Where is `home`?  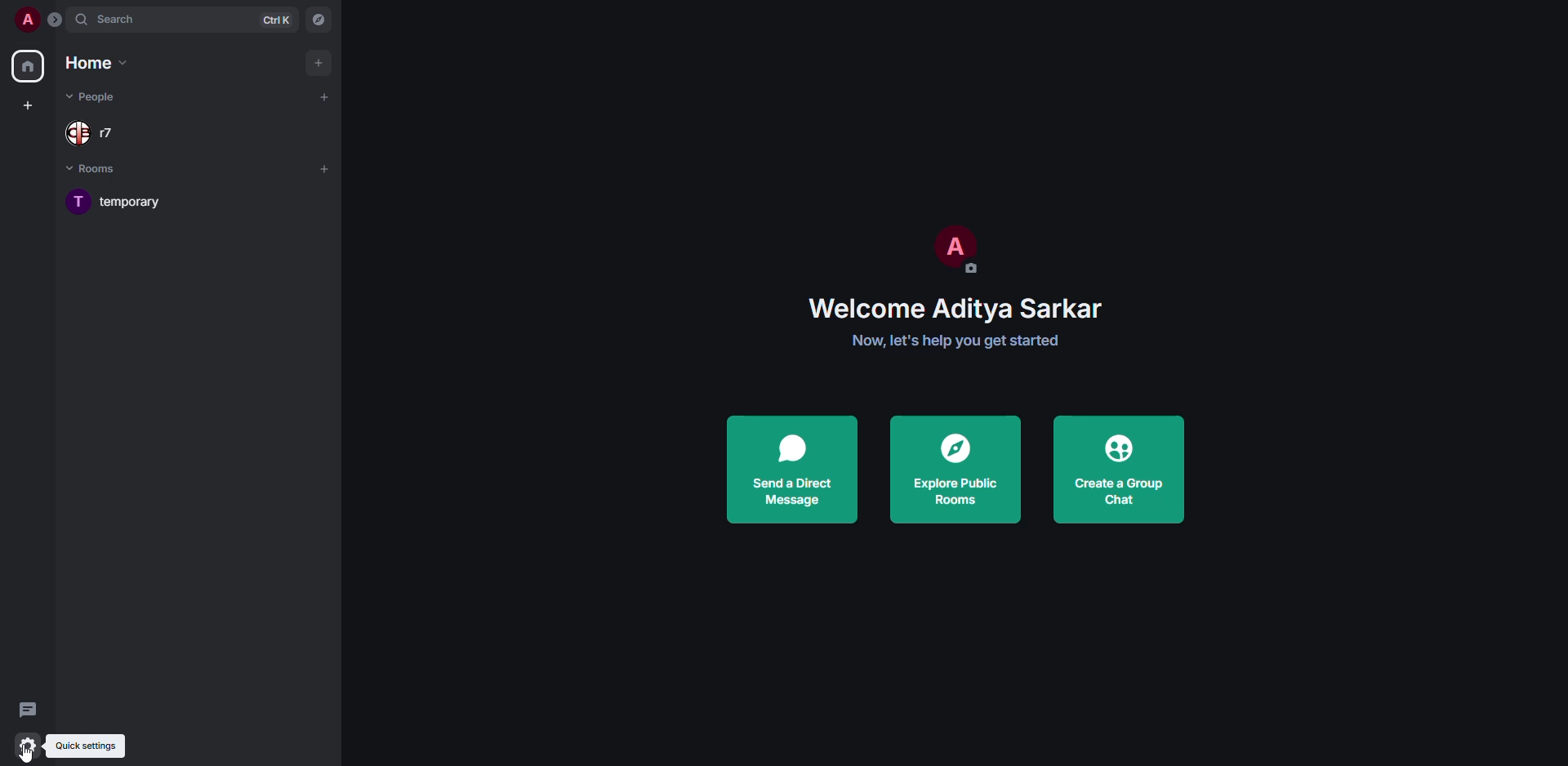 home is located at coordinates (31, 67).